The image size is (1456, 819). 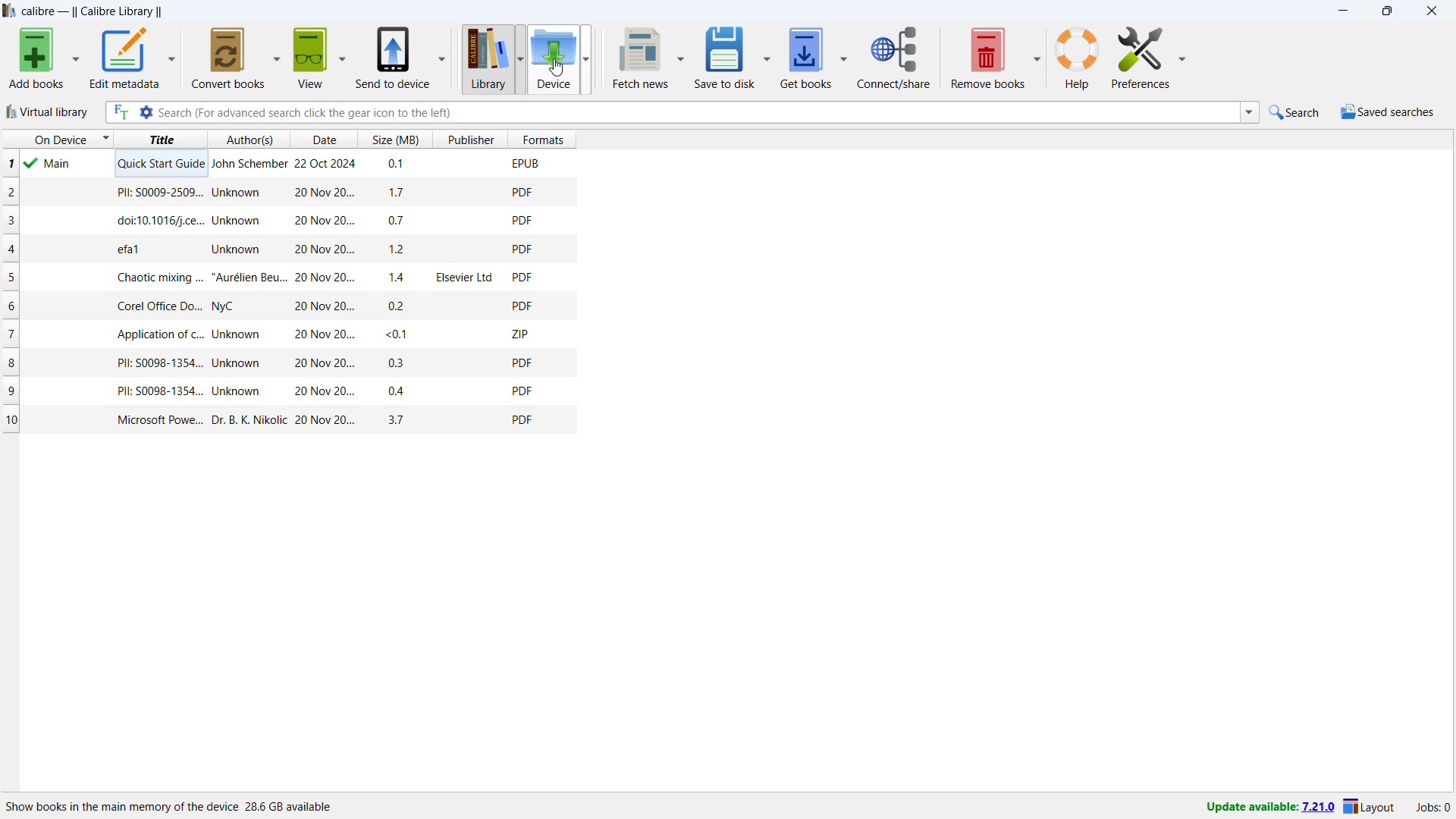 I want to click on convert books options, so click(x=275, y=57).